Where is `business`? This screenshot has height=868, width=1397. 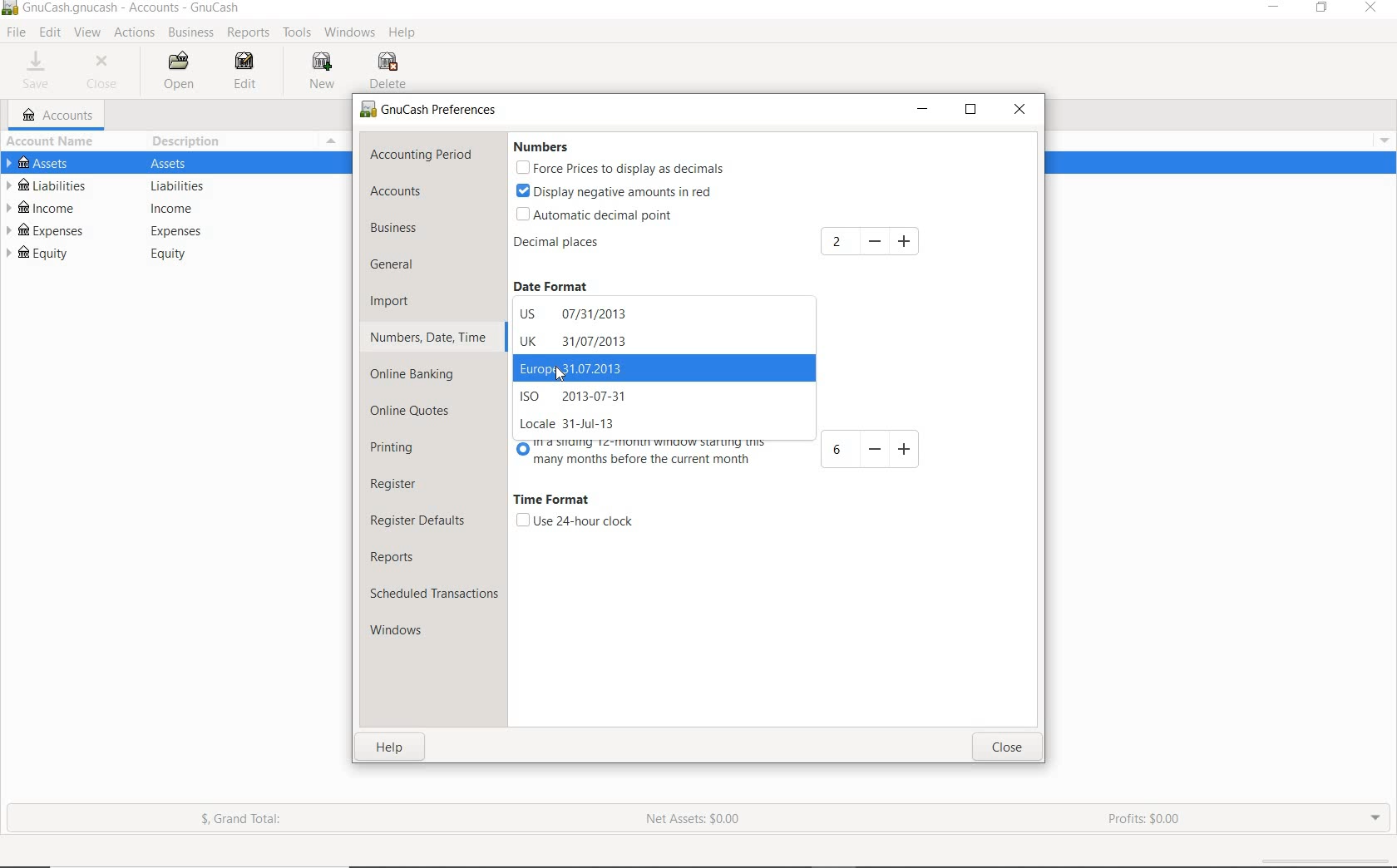 business is located at coordinates (417, 230).